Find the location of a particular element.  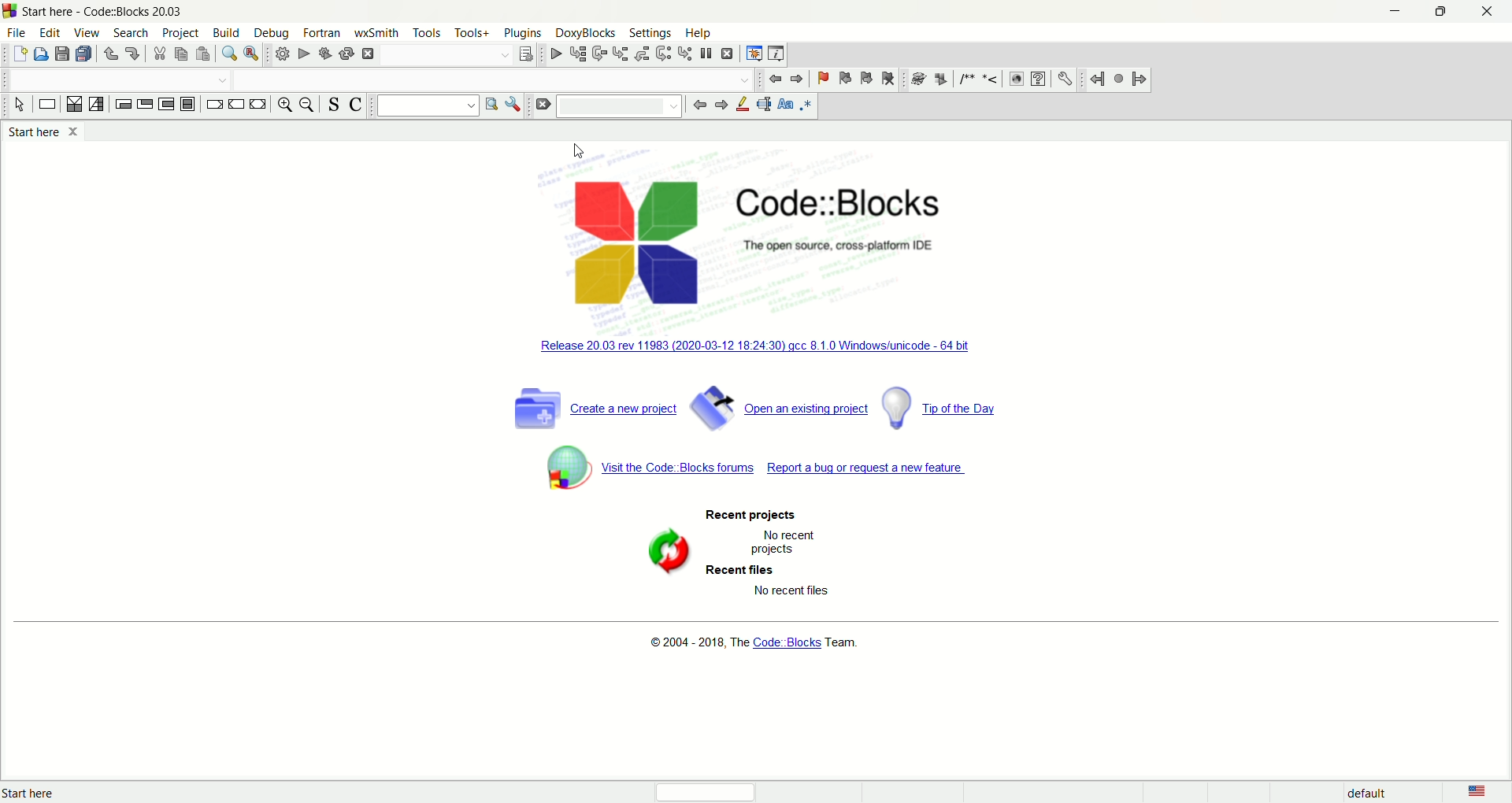

clear is located at coordinates (541, 105).